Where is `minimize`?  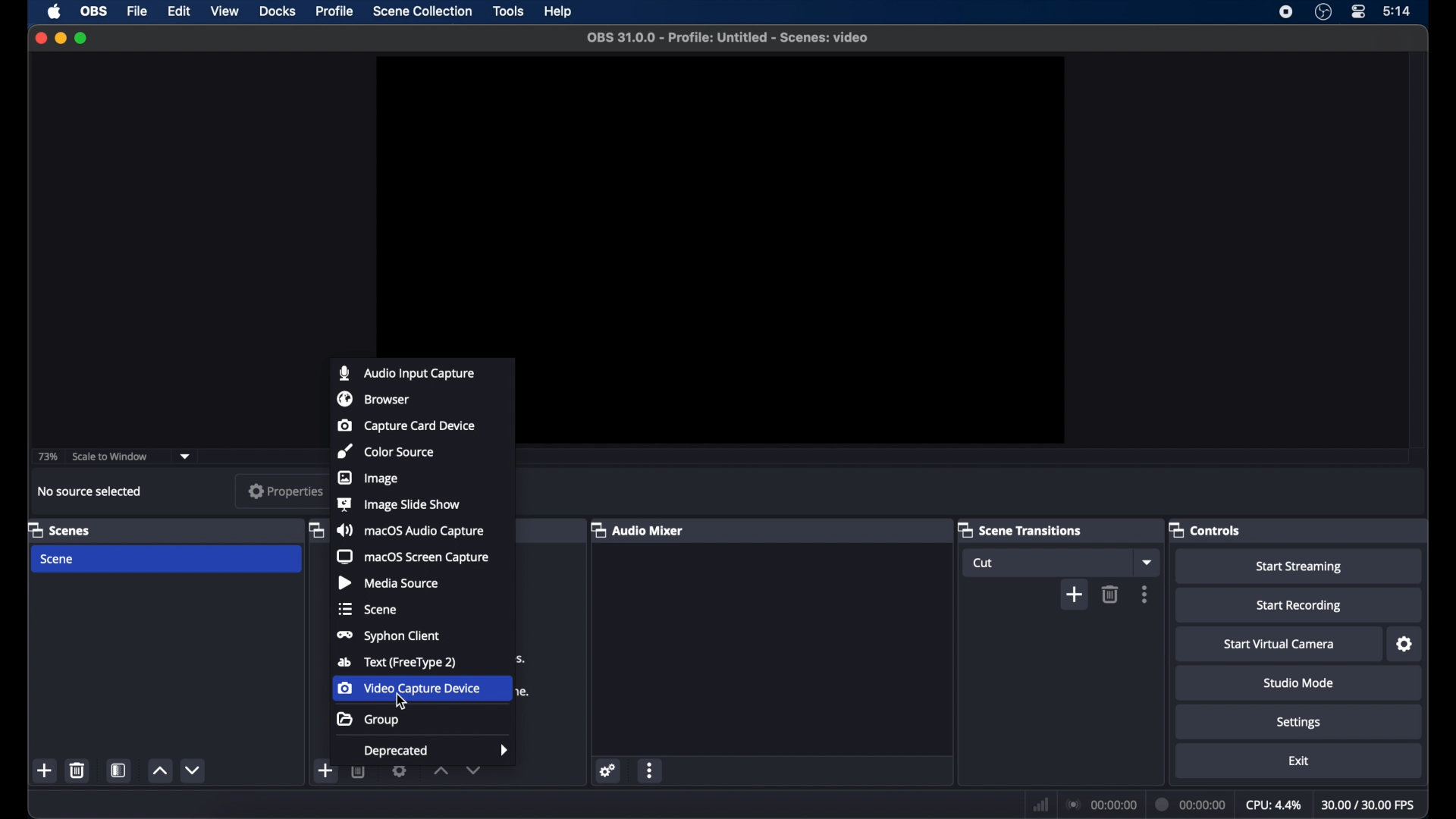 minimize is located at coordinates (61, 38).